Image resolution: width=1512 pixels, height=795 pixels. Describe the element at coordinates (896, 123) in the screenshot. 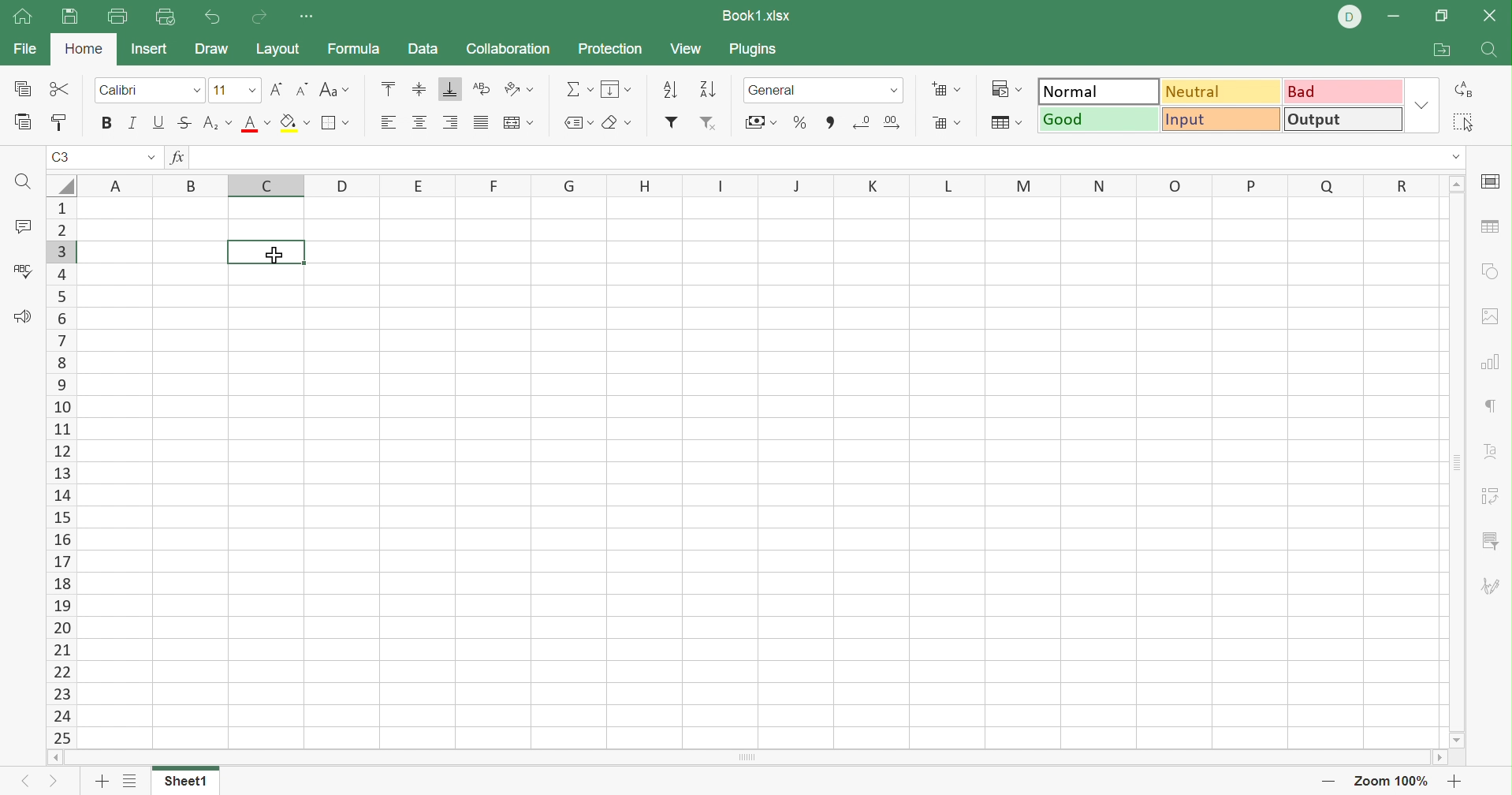

I see `Increase decimal` at that location.